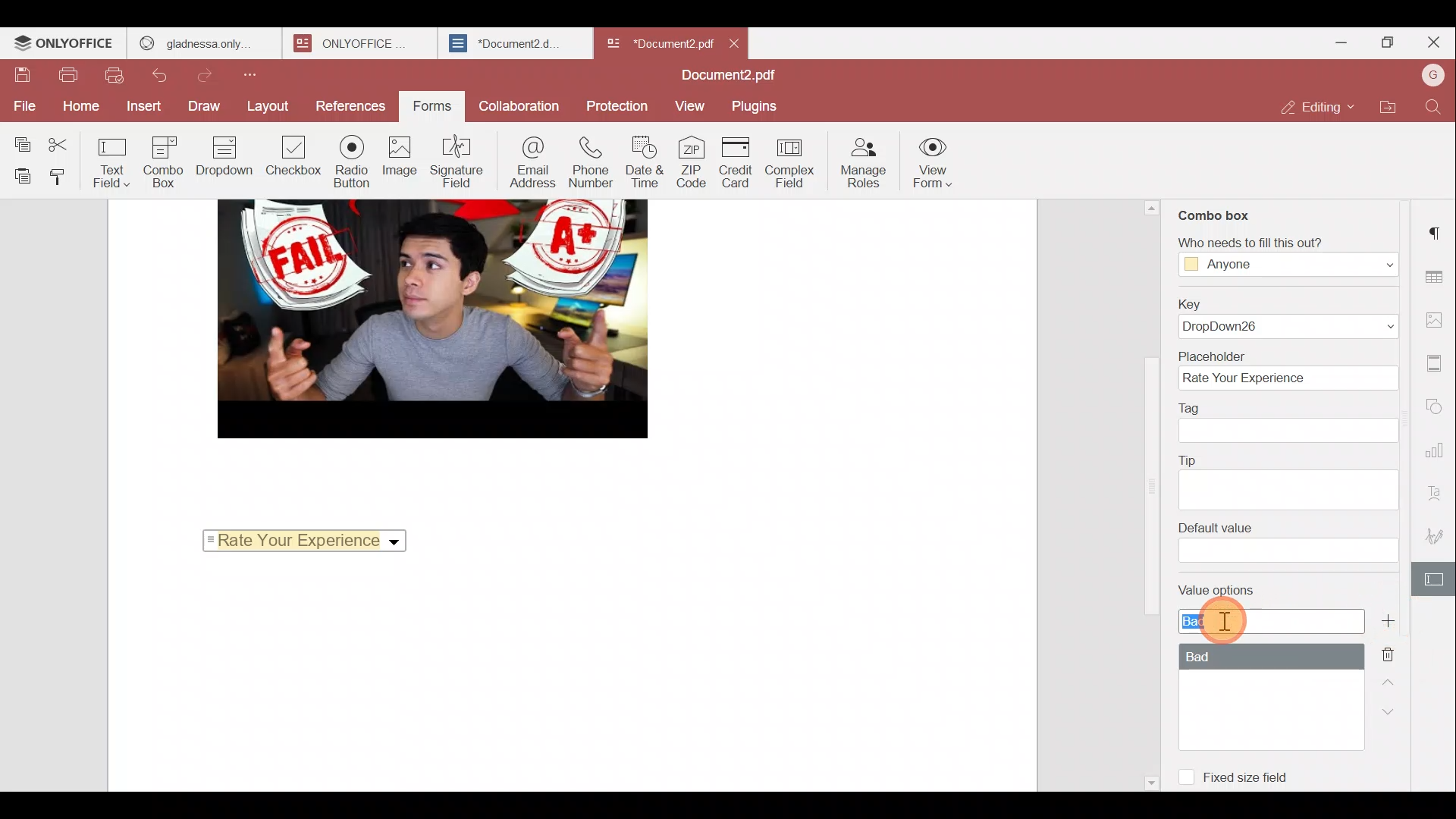 The image size is (1456, 819). Describe the element at coordinates (117, 165) in the screenshot. I see `Text field` at that location.